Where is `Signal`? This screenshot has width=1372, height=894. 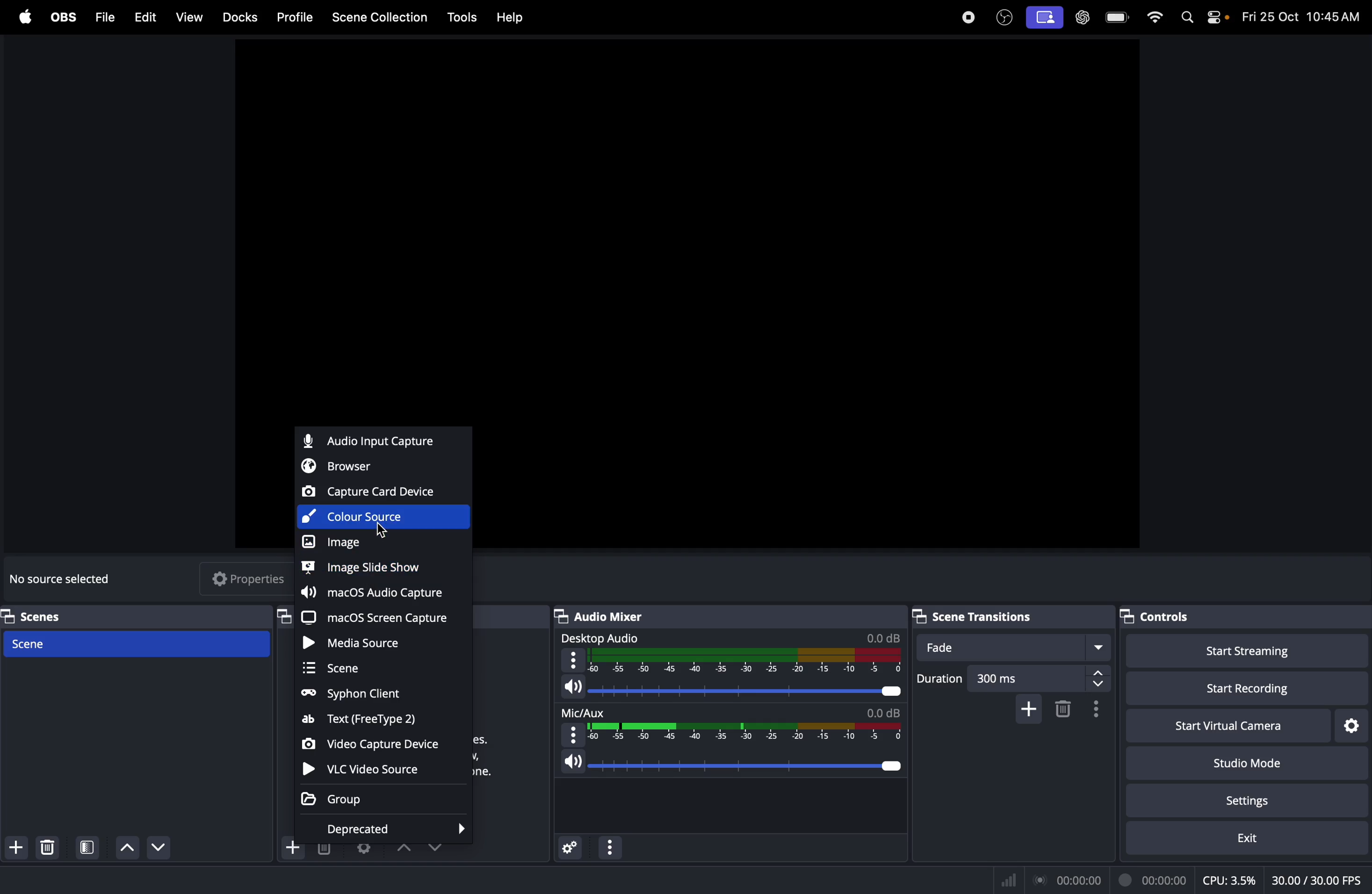
Signal is located at coordinates (1012, 880).